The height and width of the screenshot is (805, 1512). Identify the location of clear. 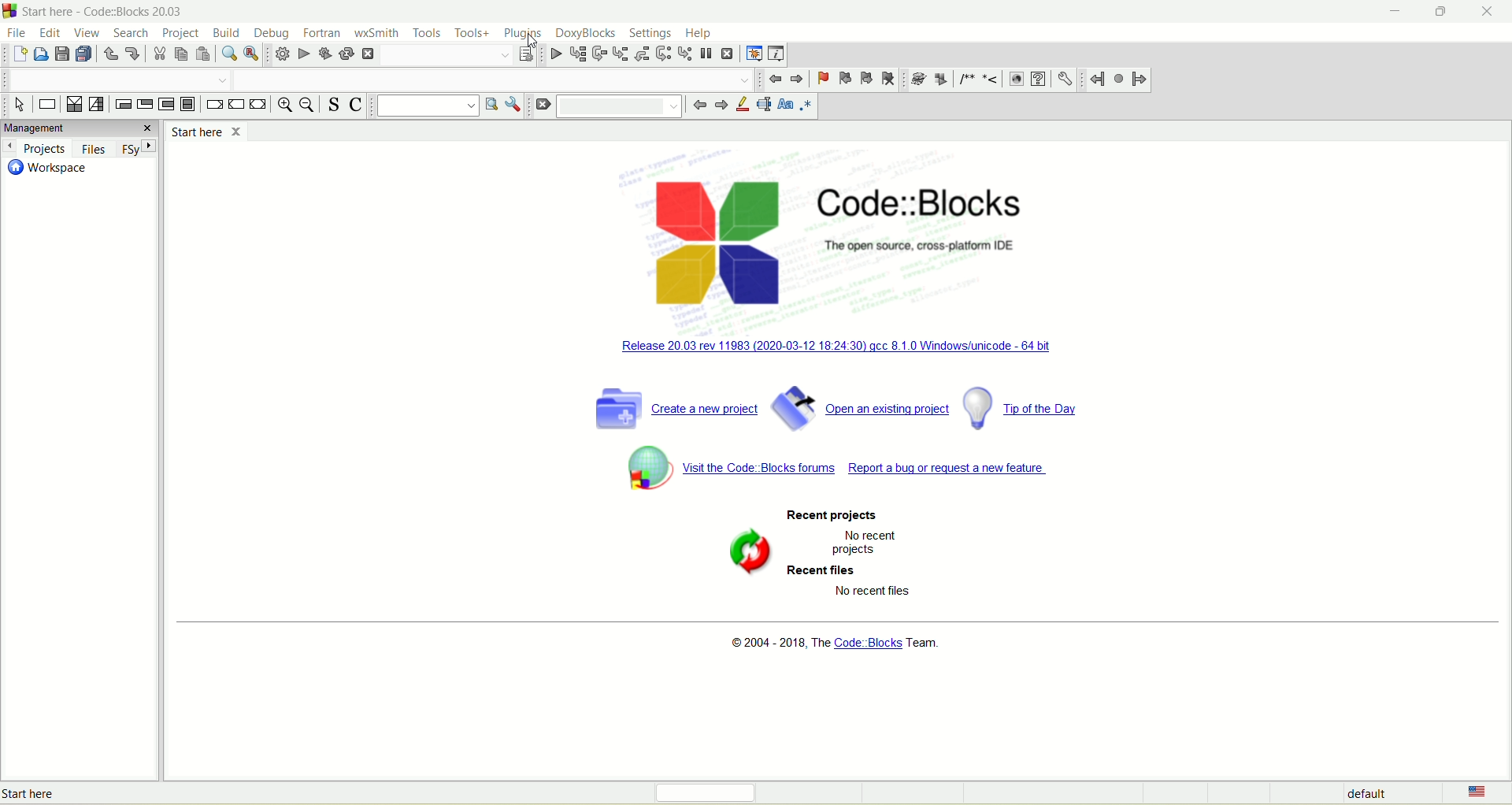
(540, 107).